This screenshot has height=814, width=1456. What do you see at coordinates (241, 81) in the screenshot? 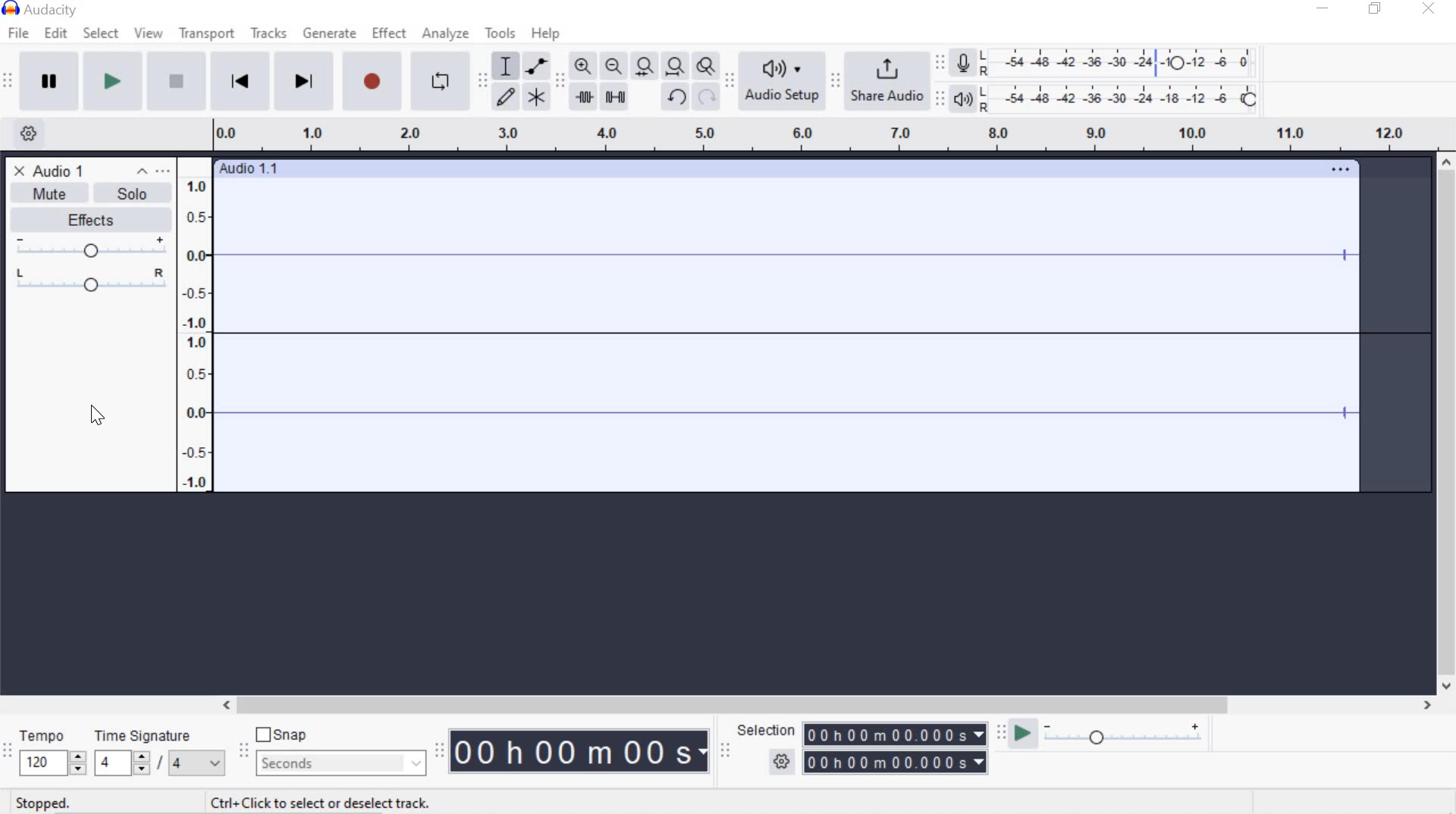
I see `Skip to start` at bounding box center [241, 81].